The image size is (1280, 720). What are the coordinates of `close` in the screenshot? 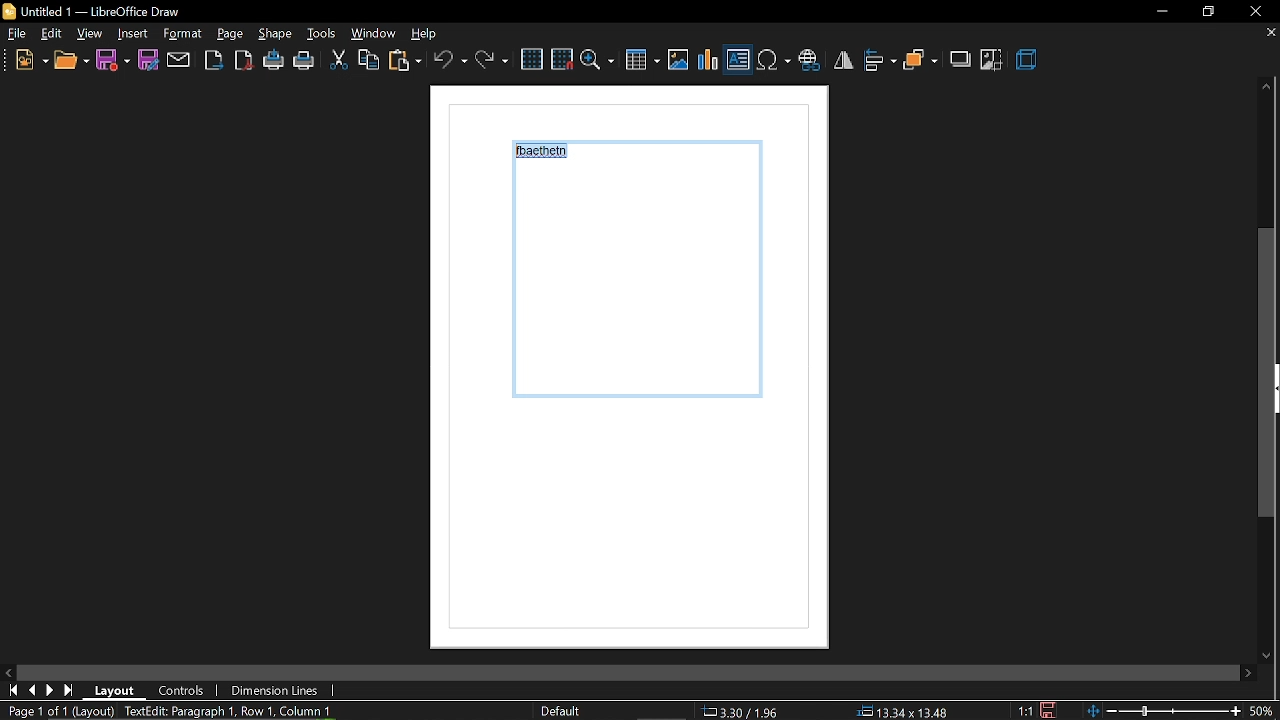 It's located at (1257, 11).